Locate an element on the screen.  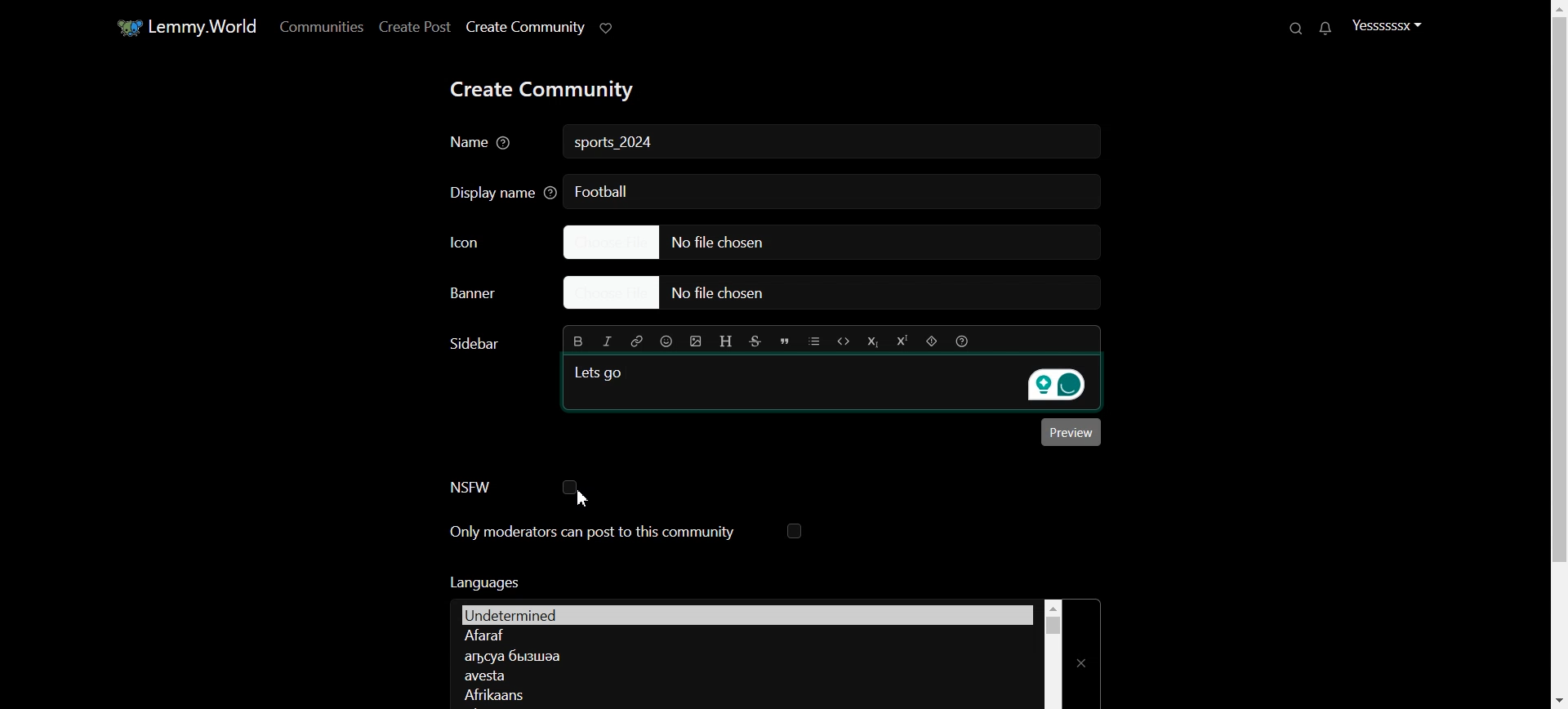
grammarly is located at coordinates (1053, 386).